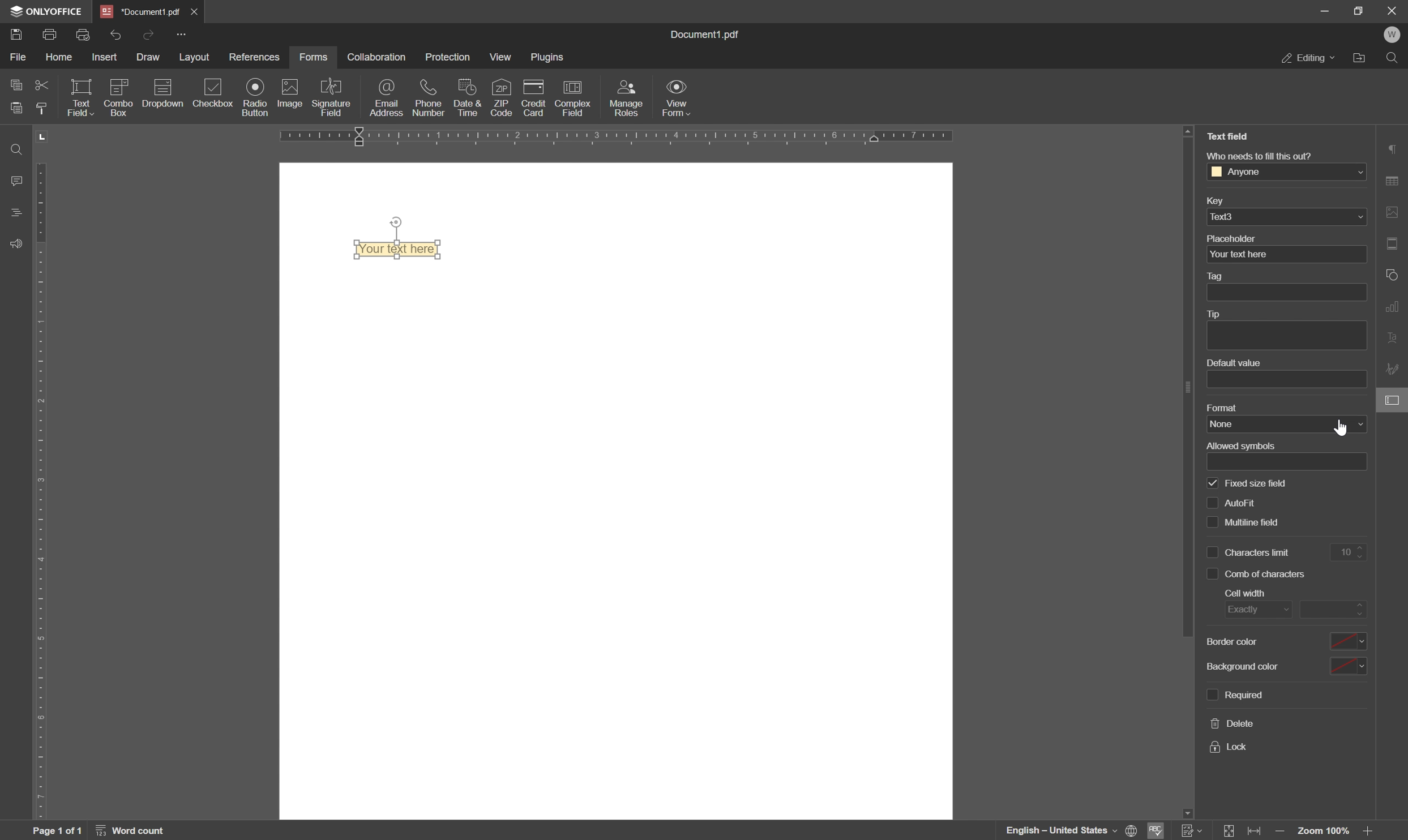 Image resolution: width=1408 pixels, height=840 pixels. I want to click on zip code, so click(502, 97).